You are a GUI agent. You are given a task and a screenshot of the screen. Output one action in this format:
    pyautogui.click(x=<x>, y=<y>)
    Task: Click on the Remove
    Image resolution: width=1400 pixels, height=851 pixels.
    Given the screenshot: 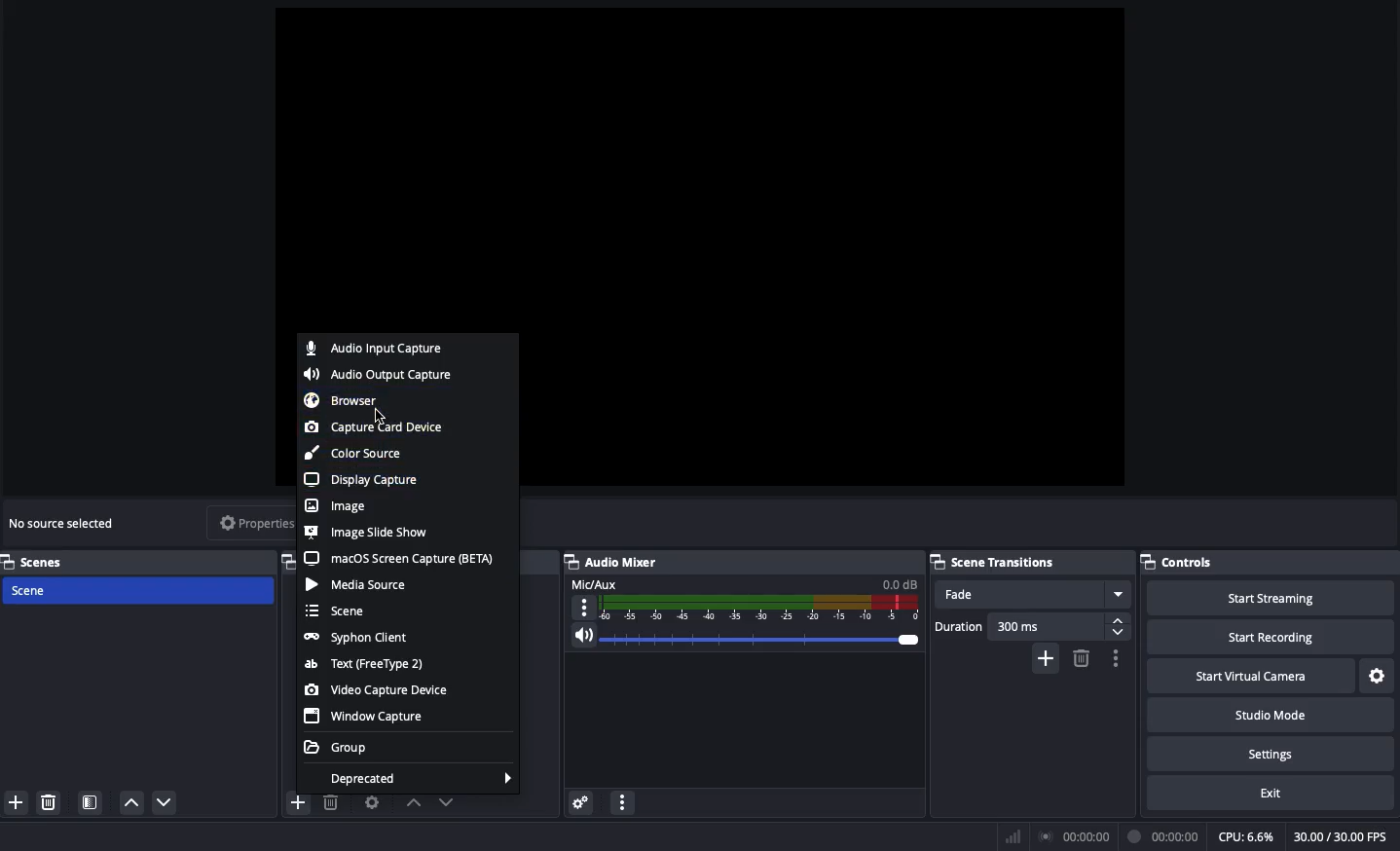 What is the action you would take?
    pyautogui.click(x=1082, y=658)
    